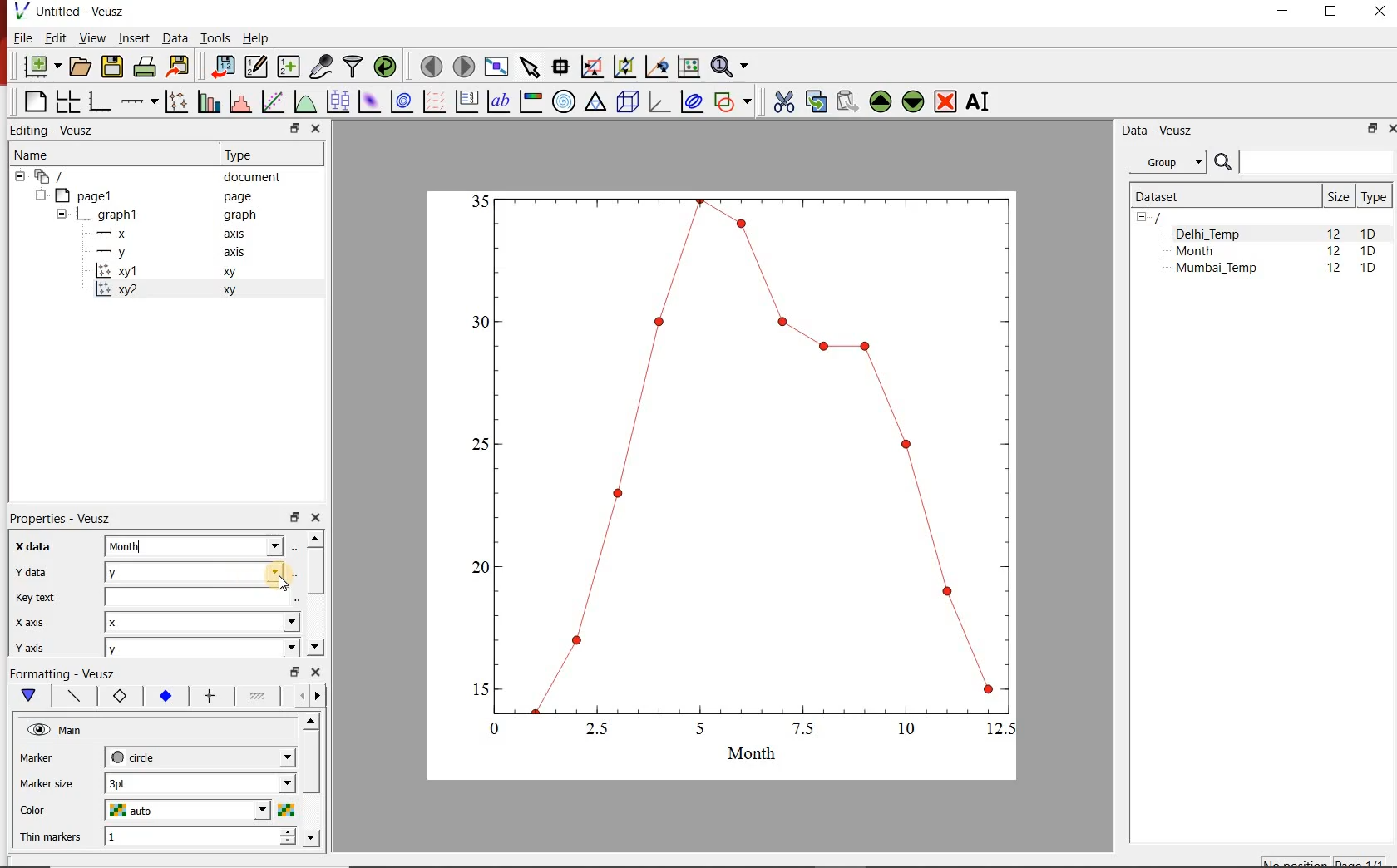  I want to click on Type, so click(245, 155).